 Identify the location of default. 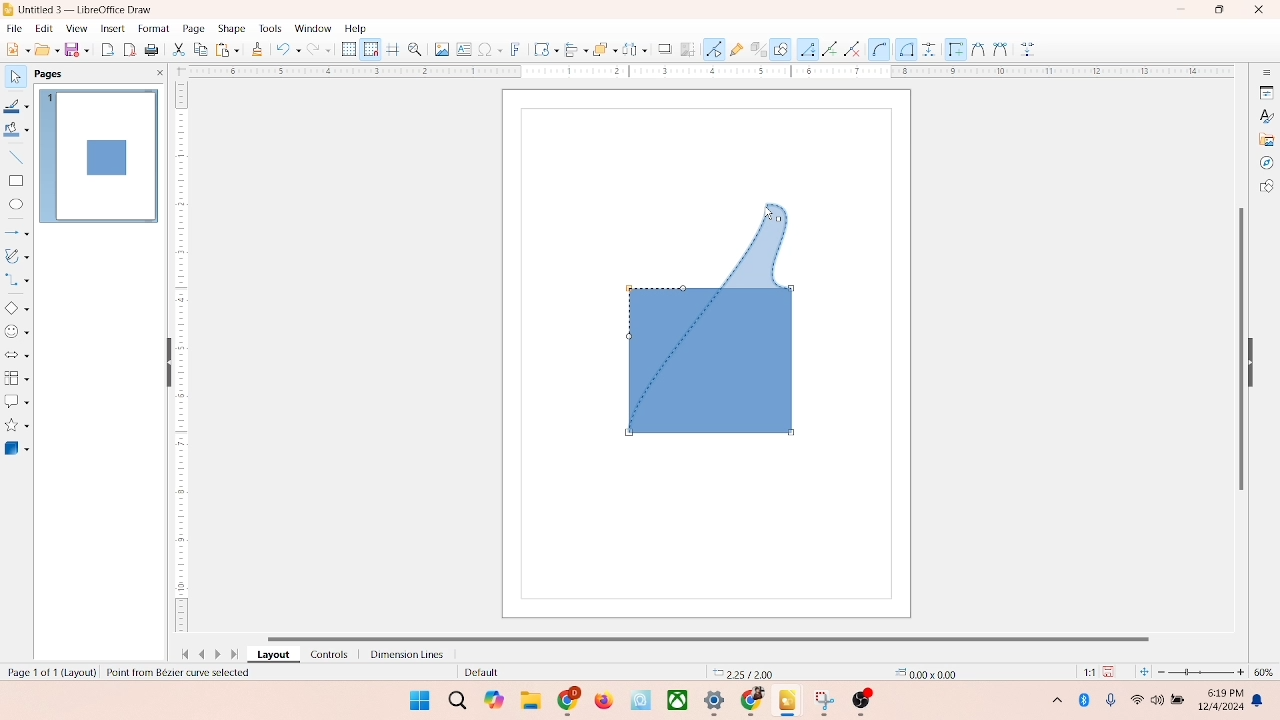
(465, 673).